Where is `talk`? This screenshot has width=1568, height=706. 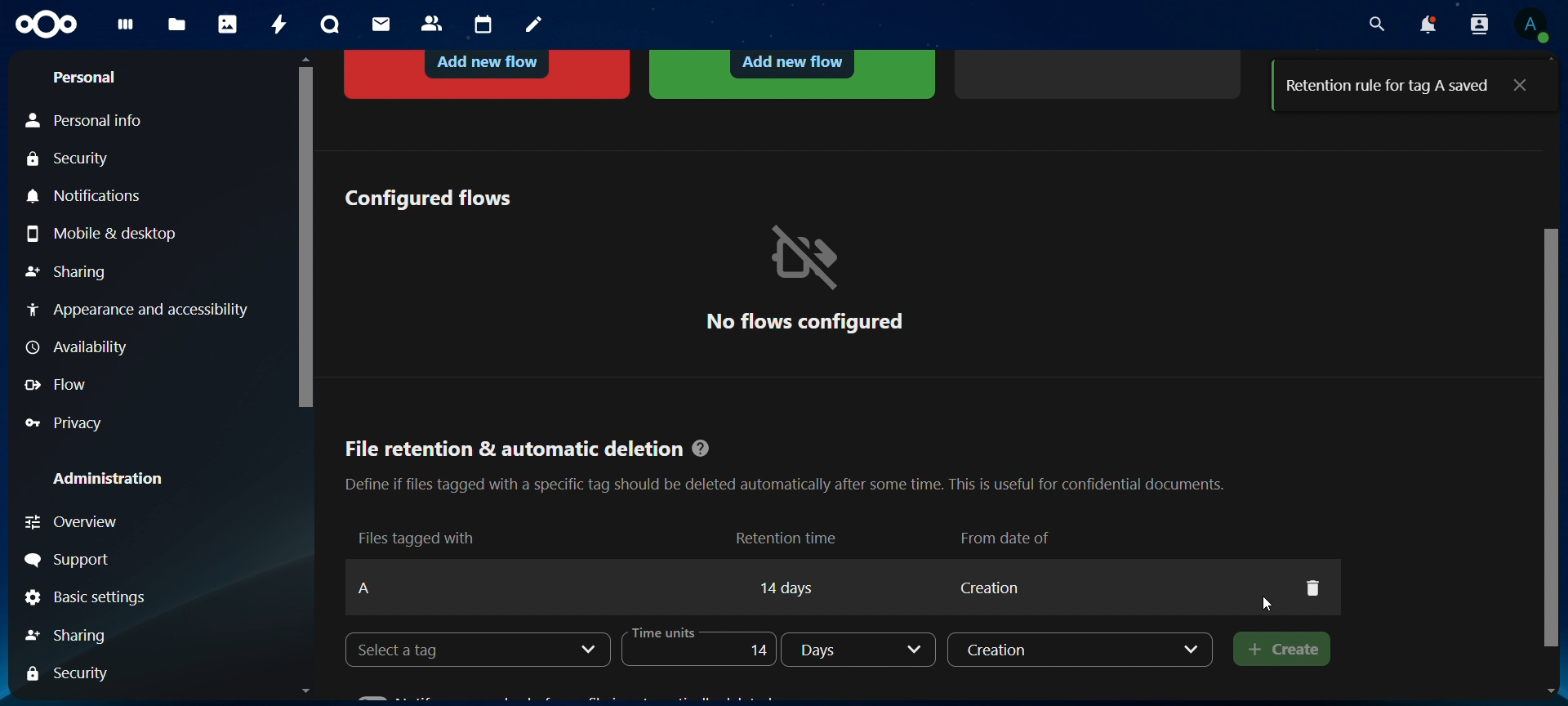 talk is located at coordinates (330, 25).